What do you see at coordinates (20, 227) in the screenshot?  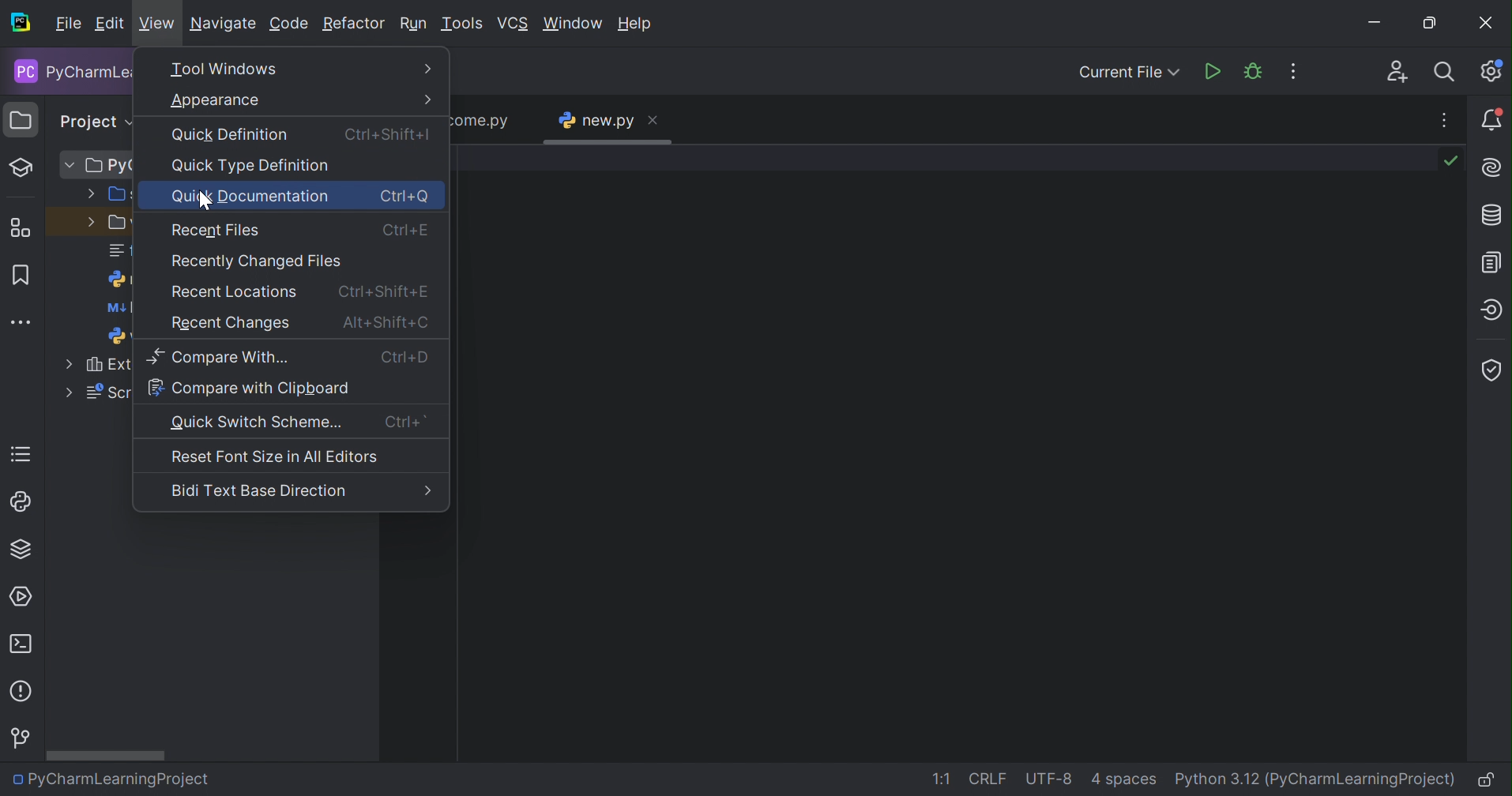 I see `Structure` at bounding box center [20, 227].